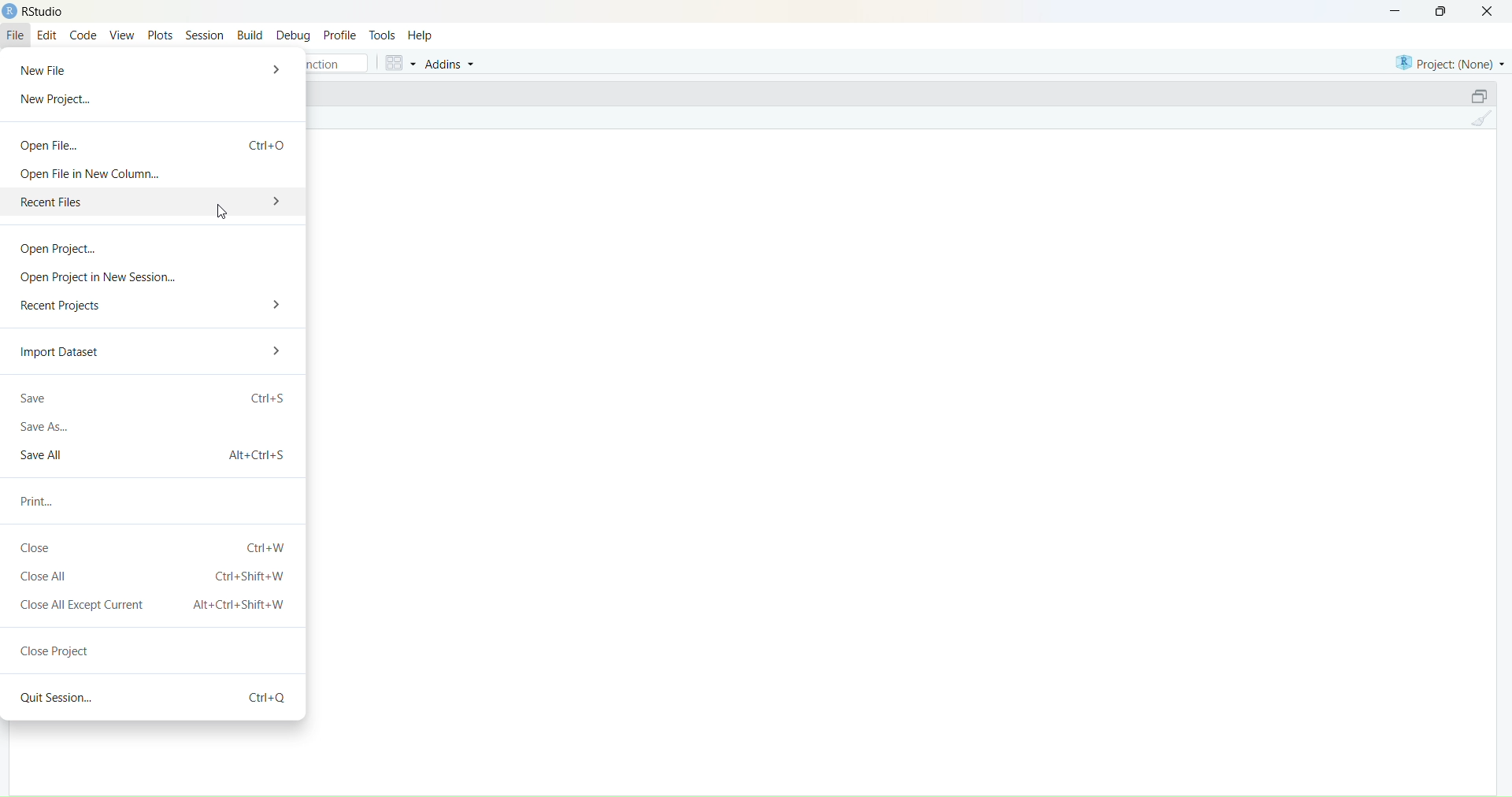  What do you see at coordinates (1480, 94) in the screenshot?
I see `Maximize/Restore` at bounding box center [1480, 94].